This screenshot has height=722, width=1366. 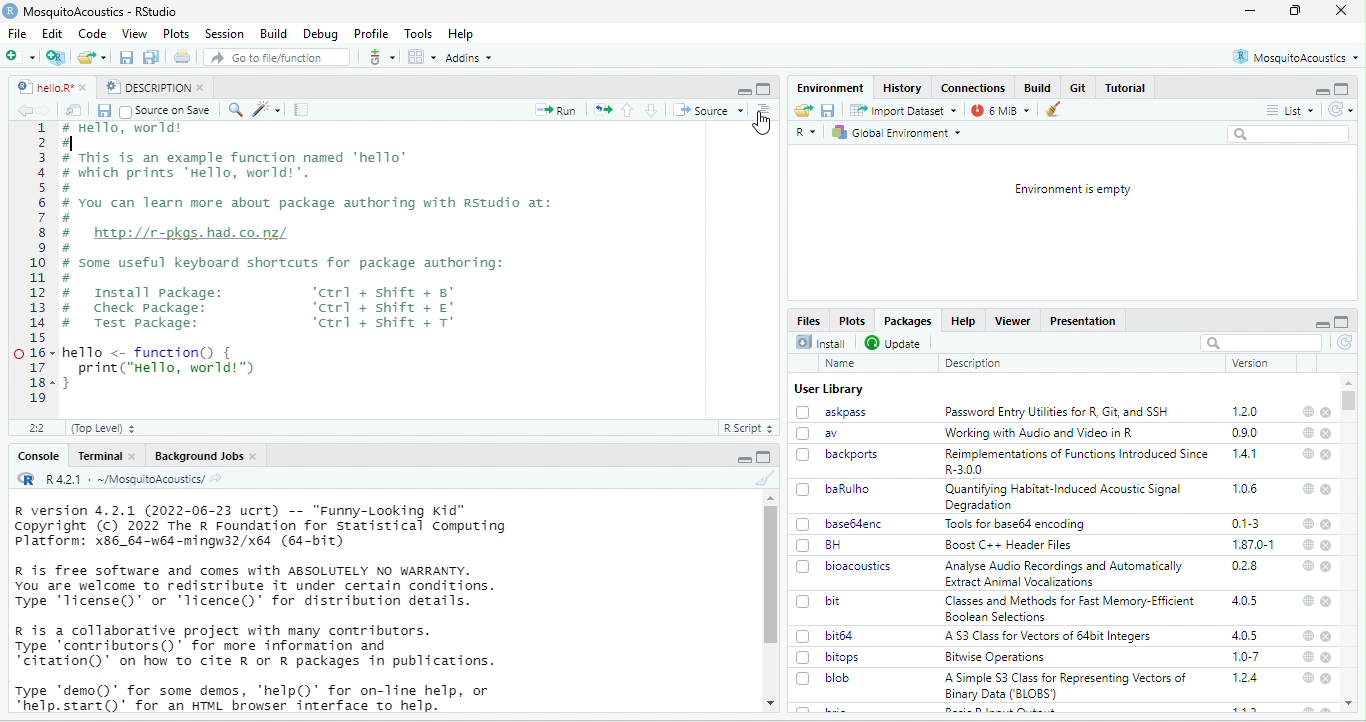 What do you see at coordinates (1246, 454) in the screenshot?
I see `1.4.1` at bounding box center [1246, 454].